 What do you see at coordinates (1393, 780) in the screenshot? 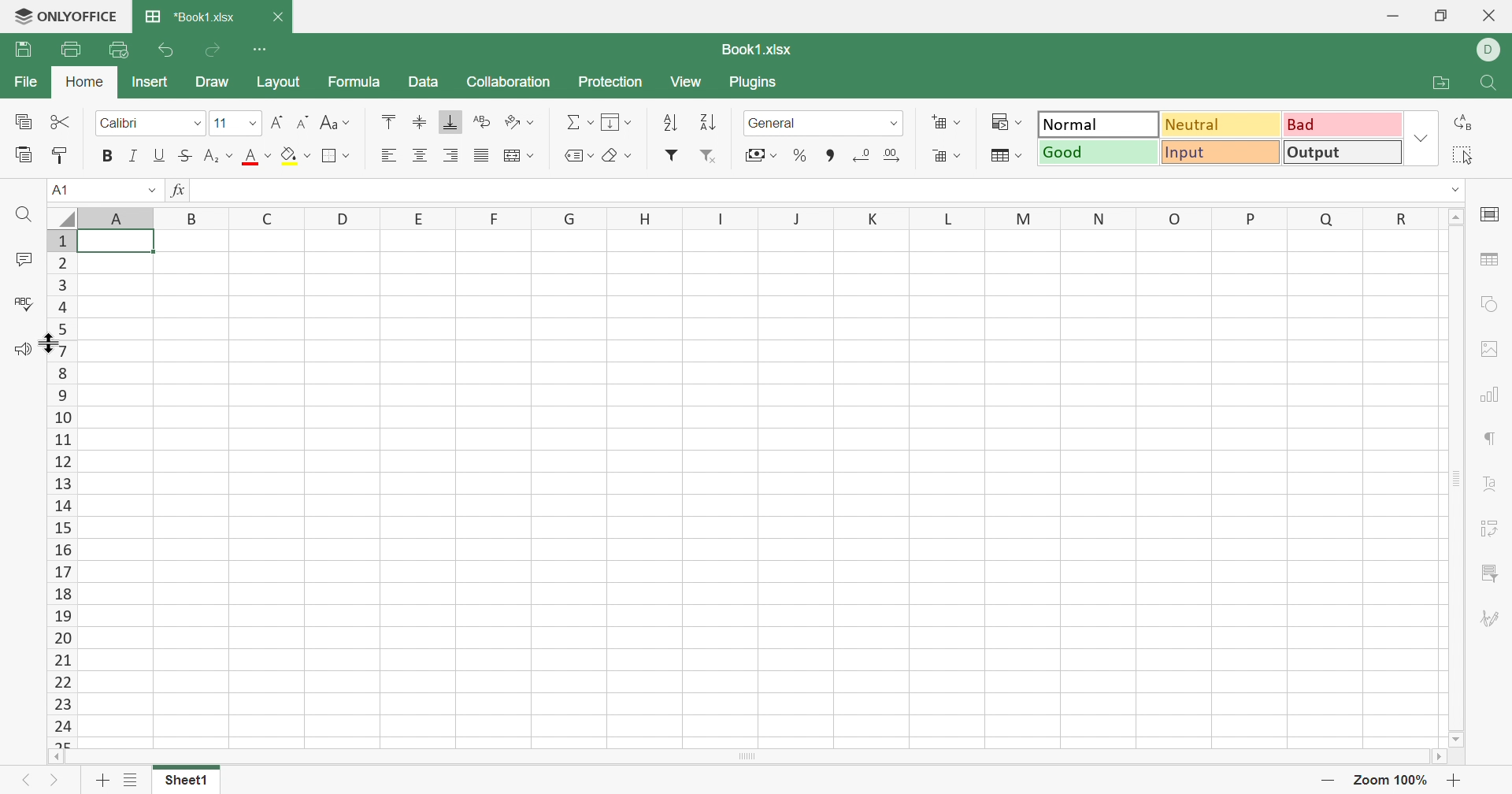
I see `Zoom 100%` at bounding box center [1393, 780].